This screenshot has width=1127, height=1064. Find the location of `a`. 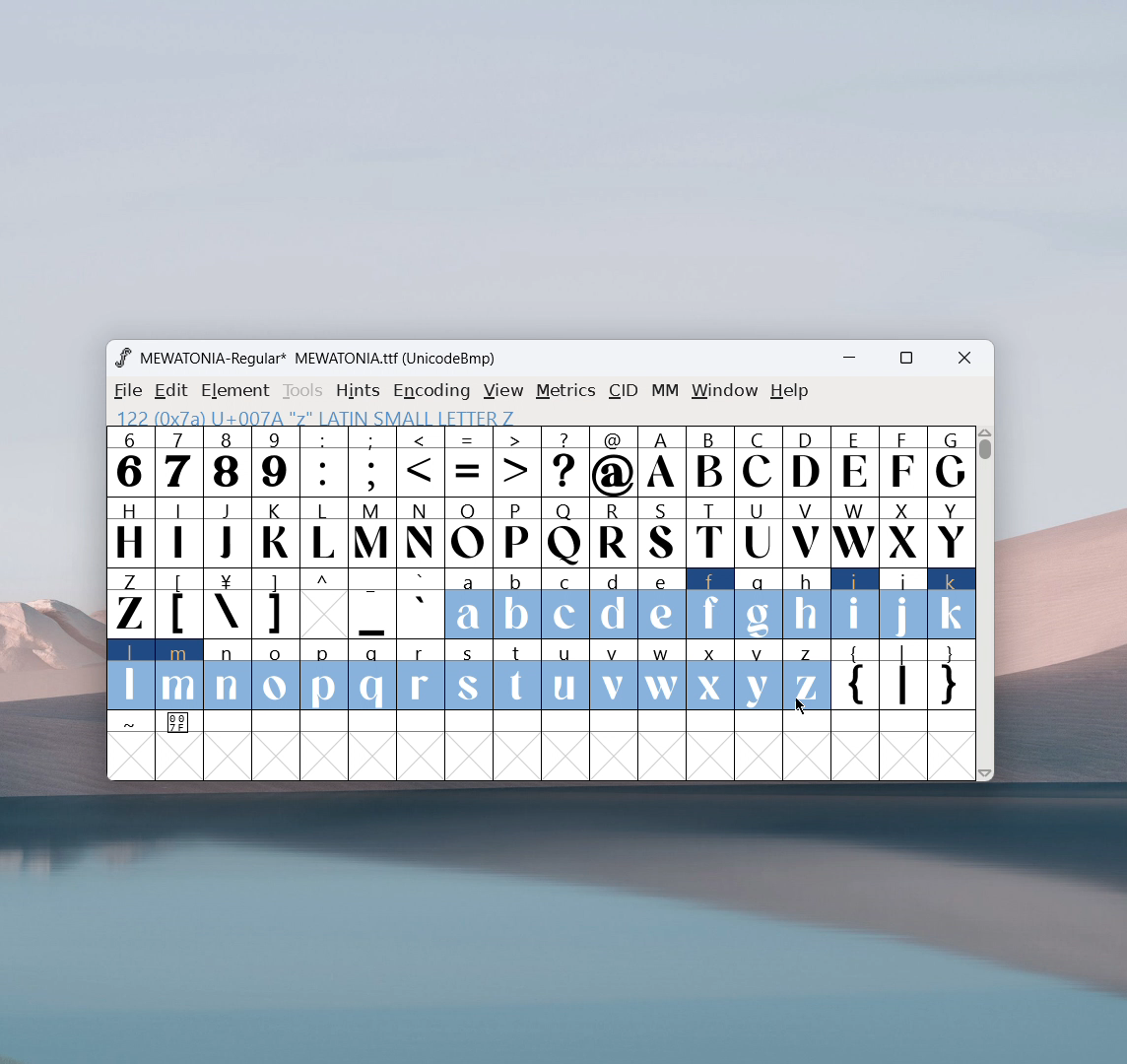

a is located at coordinates (468, 605).